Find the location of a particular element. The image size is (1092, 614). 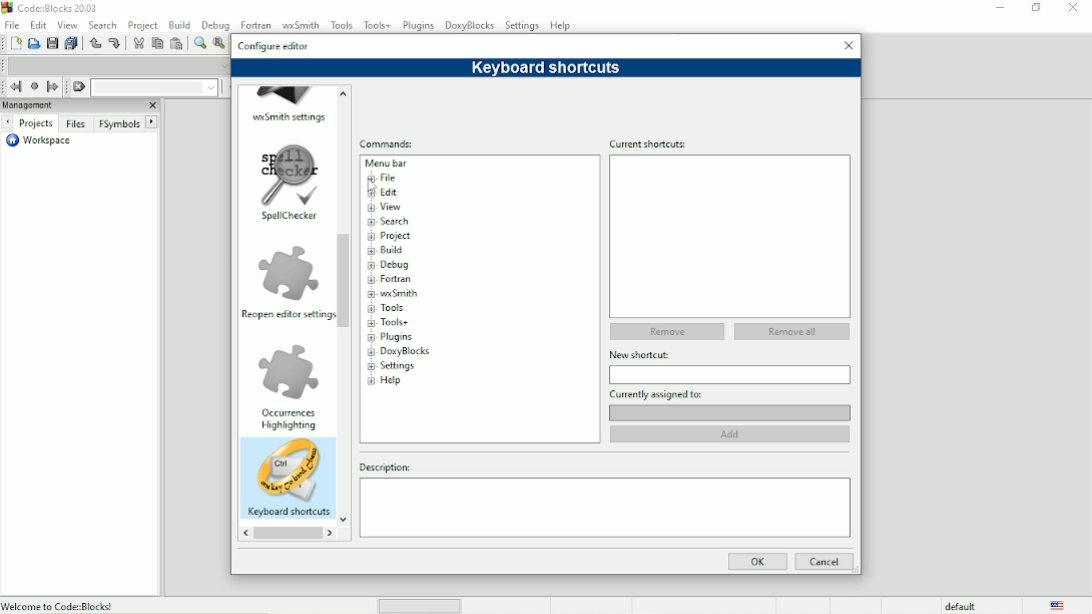

Close is located at coordinates (152, 105).